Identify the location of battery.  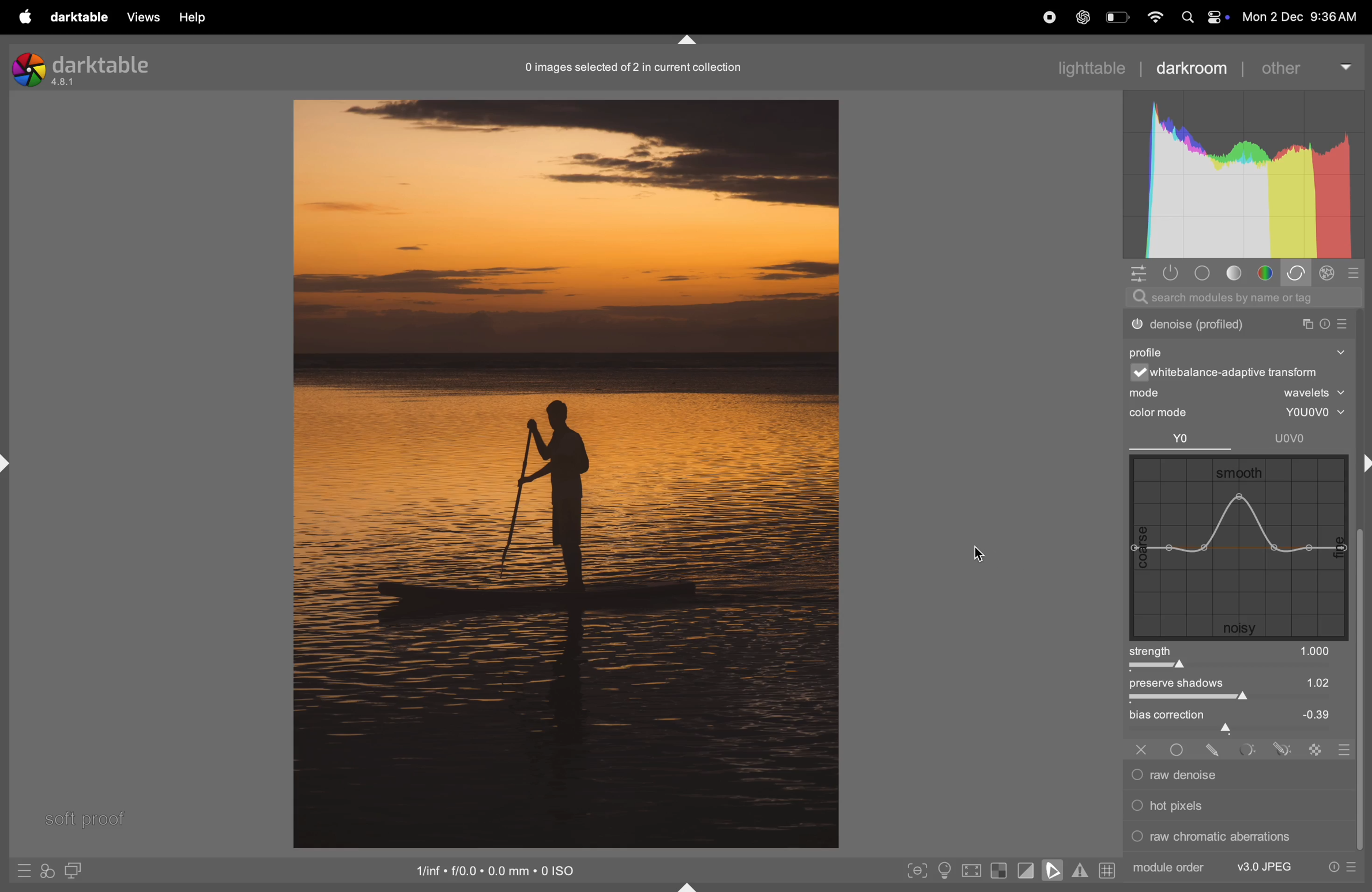
(1117, 19).